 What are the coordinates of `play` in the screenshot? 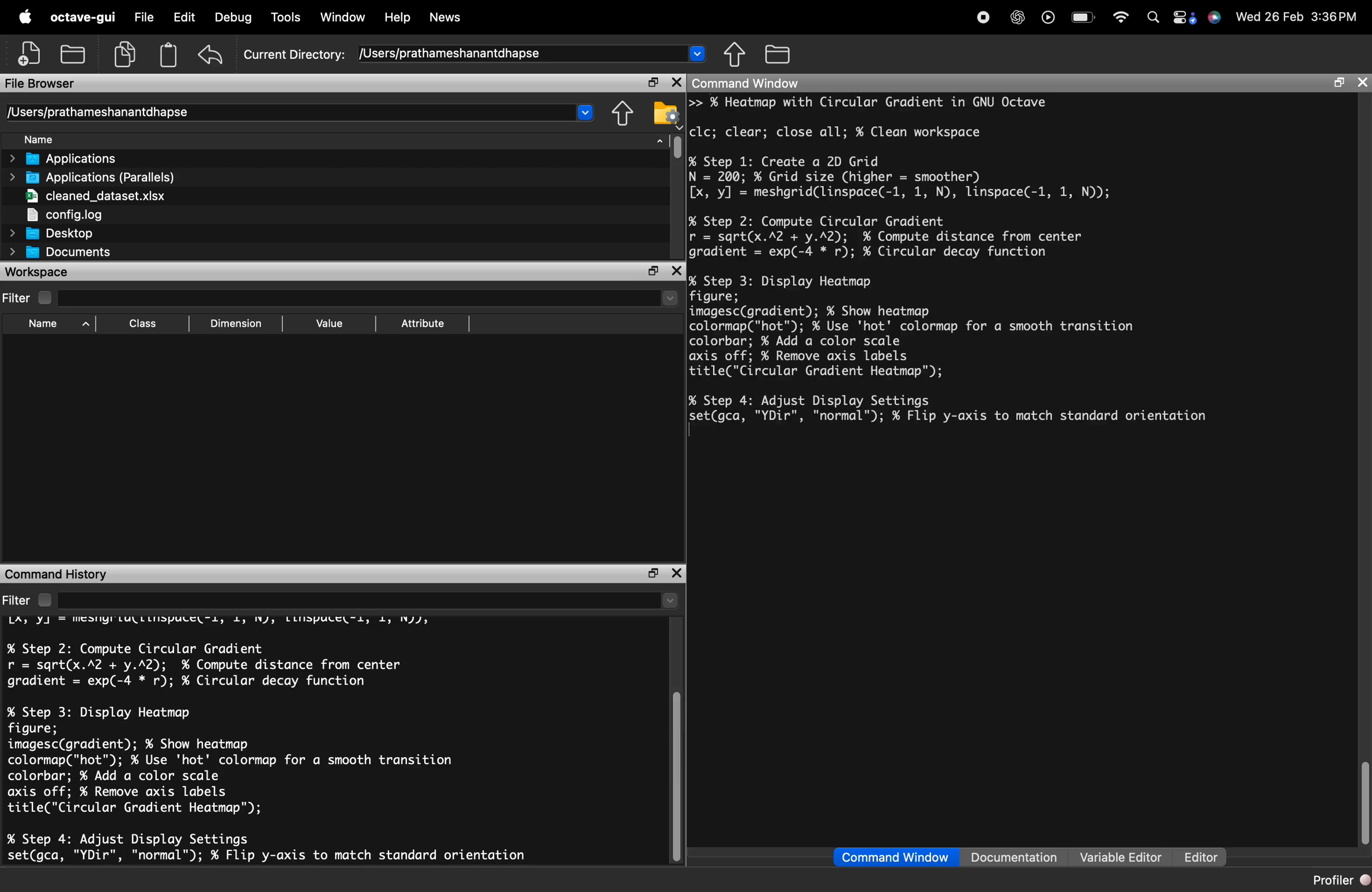 It's located at (1051, 17).